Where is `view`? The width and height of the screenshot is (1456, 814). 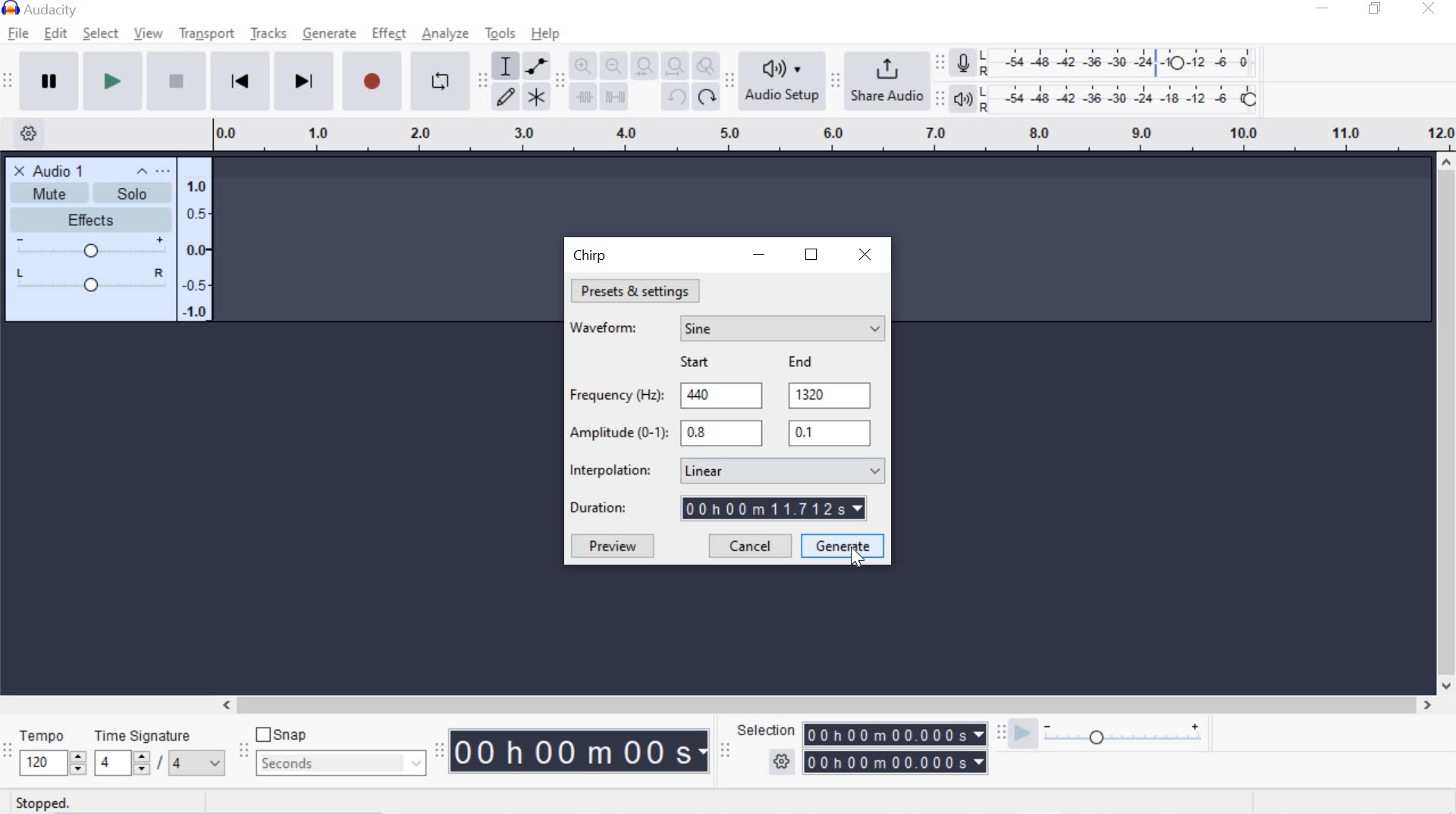
view is located at coordinates (149, 33).